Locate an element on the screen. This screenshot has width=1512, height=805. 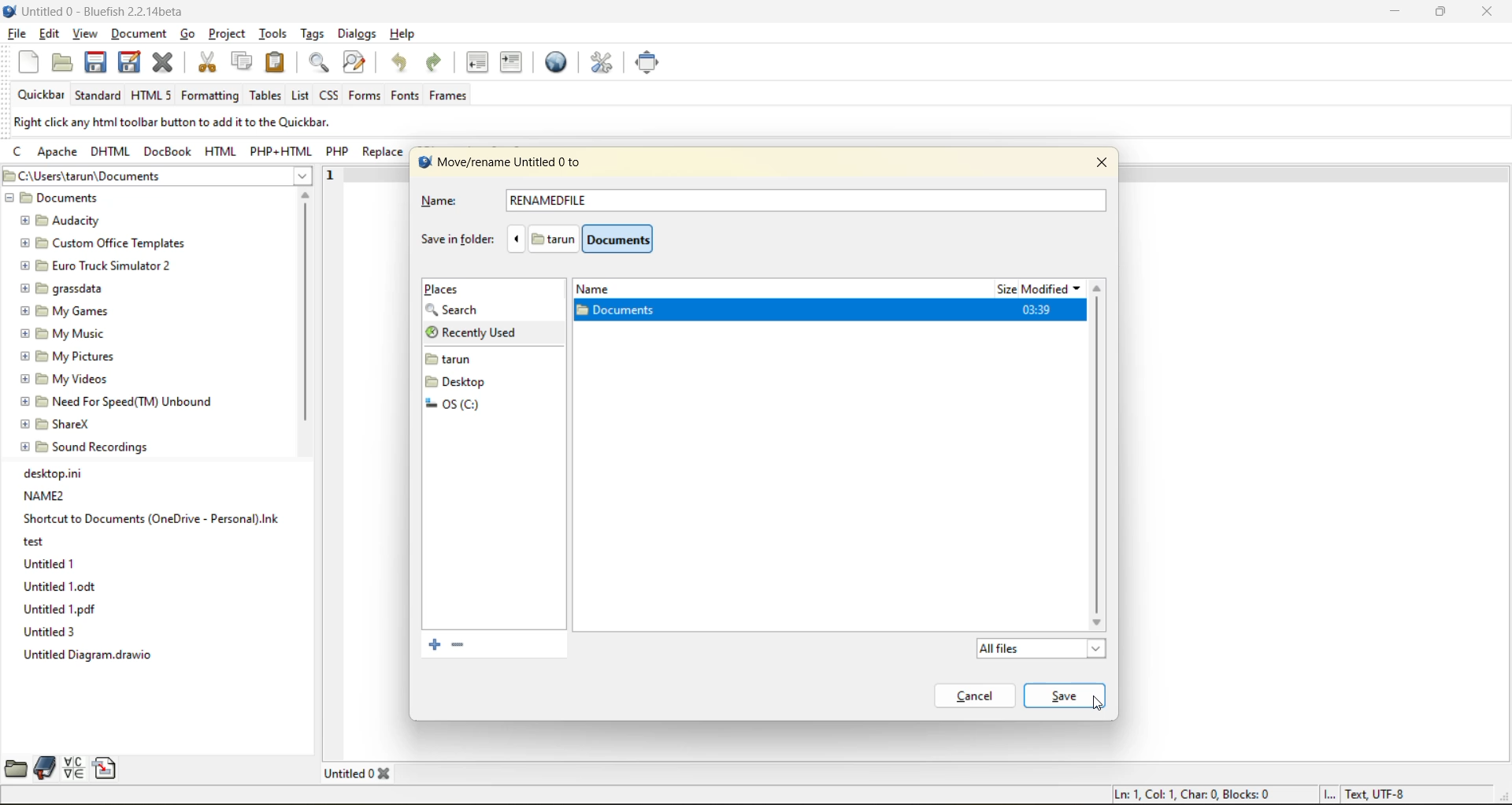
php is located at coordinates (341, 154).